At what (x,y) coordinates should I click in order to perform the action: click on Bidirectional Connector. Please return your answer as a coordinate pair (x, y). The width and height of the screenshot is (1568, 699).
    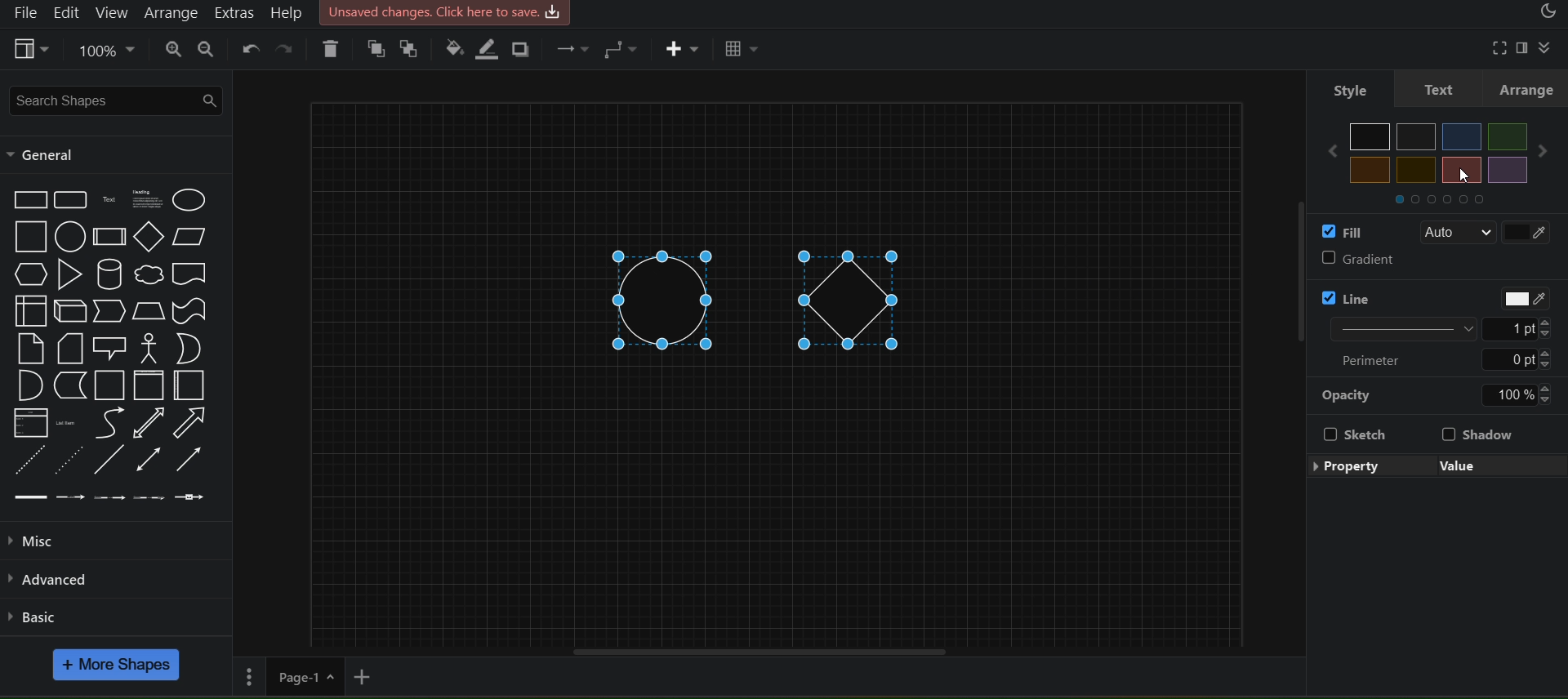
    Looking at the image, I should click on (149, 457).